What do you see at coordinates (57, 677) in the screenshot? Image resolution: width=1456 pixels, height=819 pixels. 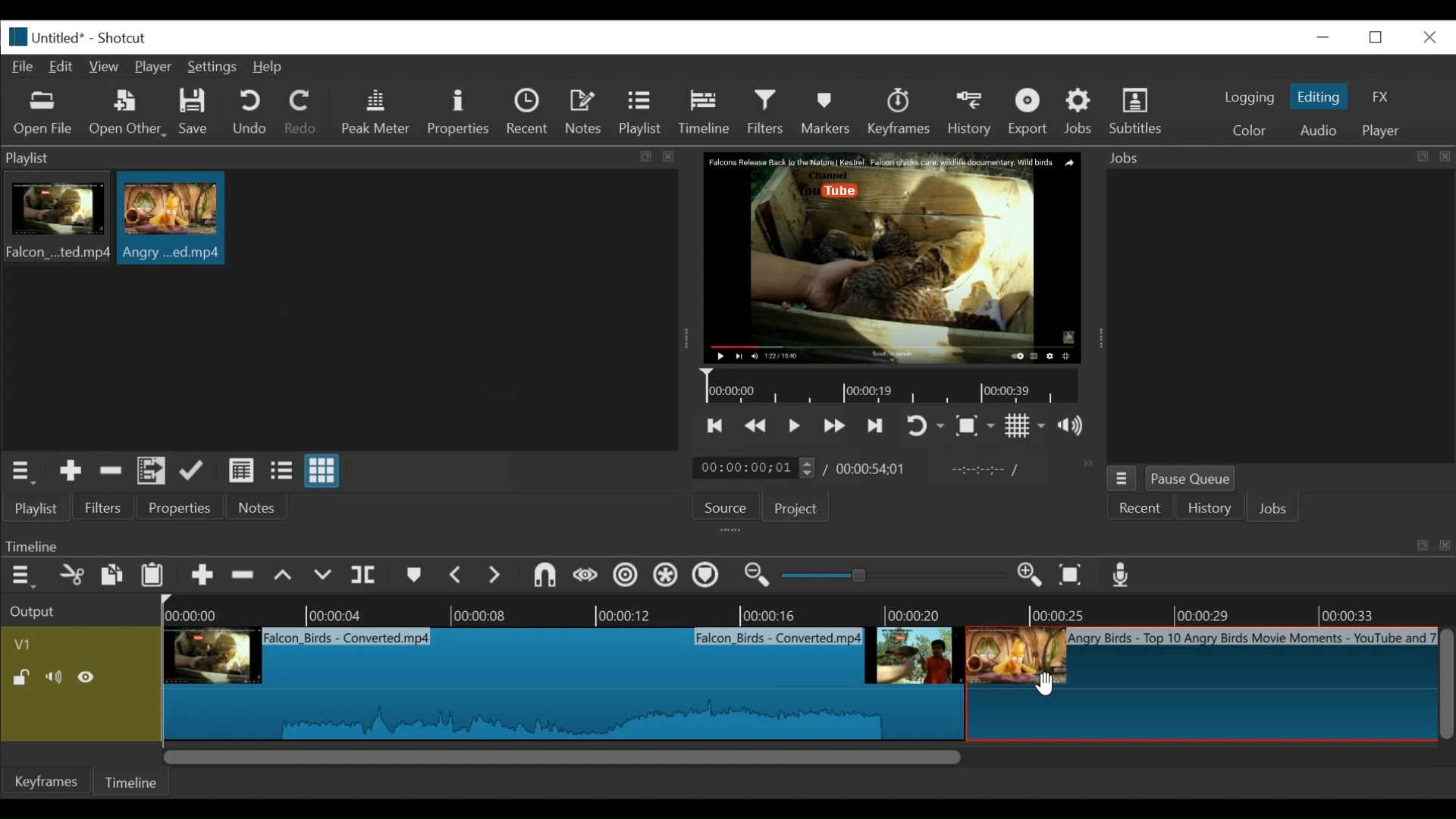 I see `Mute` at bounding box center [57, 677].